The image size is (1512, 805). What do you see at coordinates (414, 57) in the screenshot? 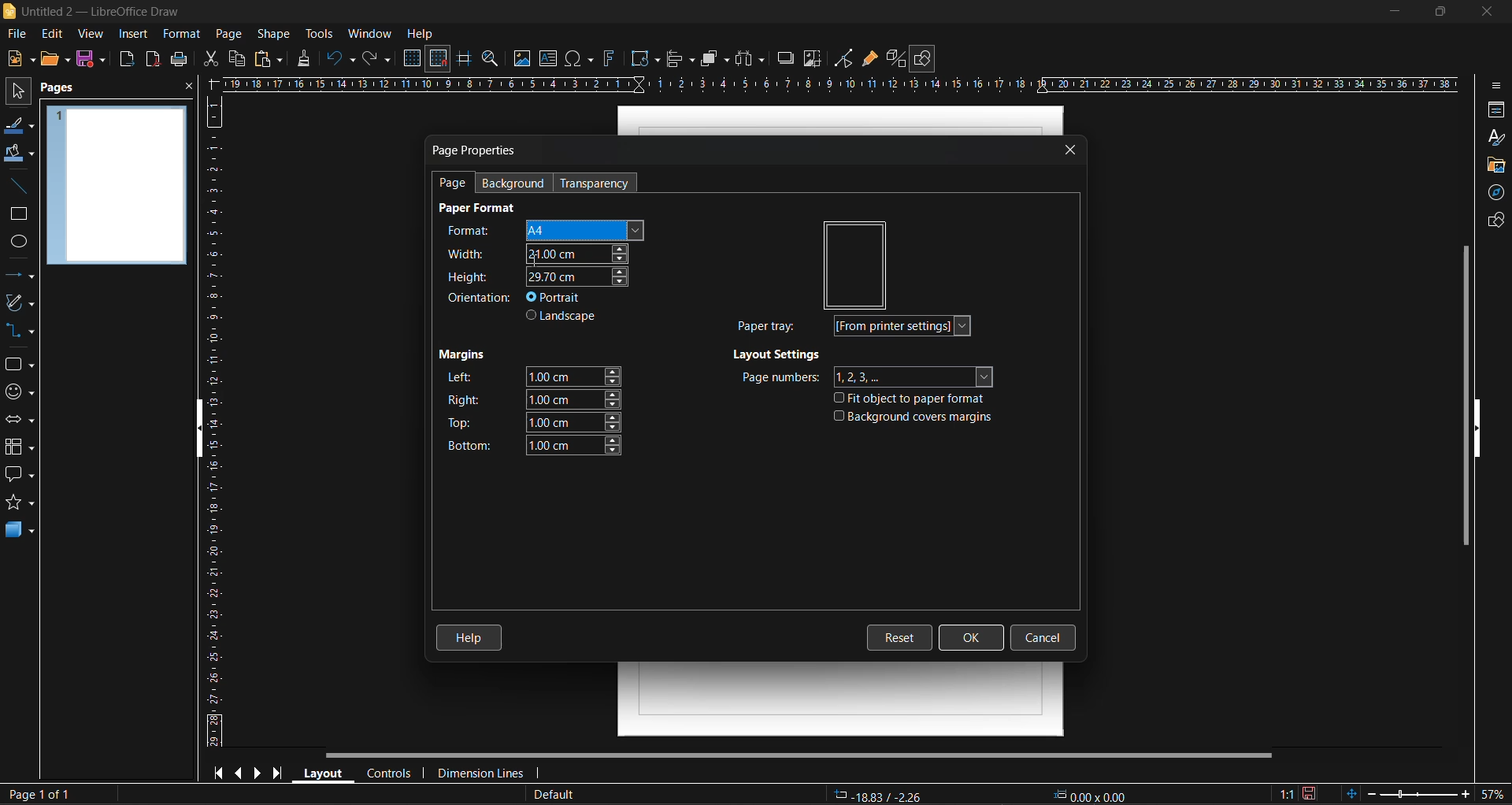
I see `display grid` at bounding box center [414, 57].